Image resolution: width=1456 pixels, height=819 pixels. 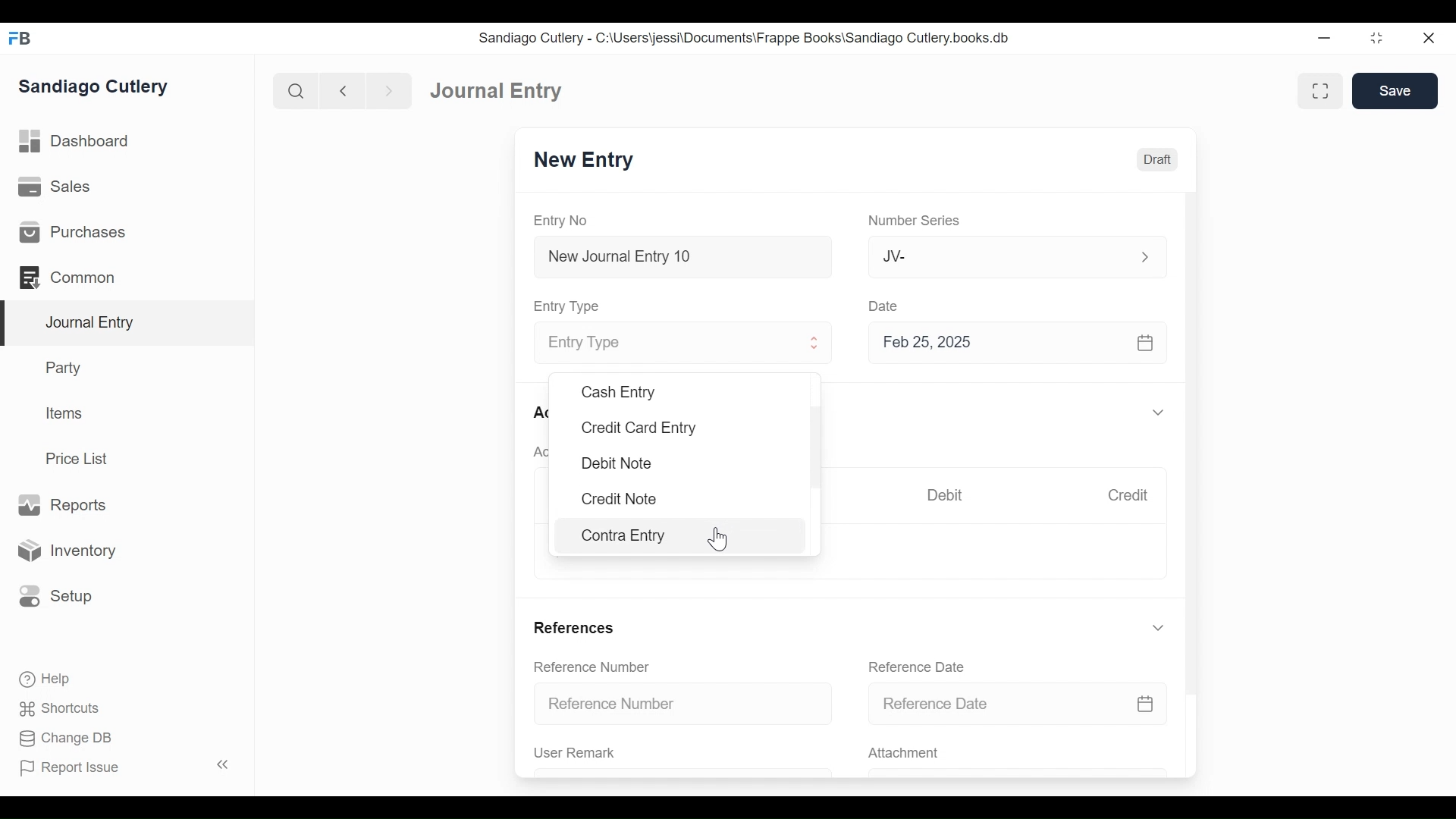 I want to click on User Remark, so click(x=575, y=753).